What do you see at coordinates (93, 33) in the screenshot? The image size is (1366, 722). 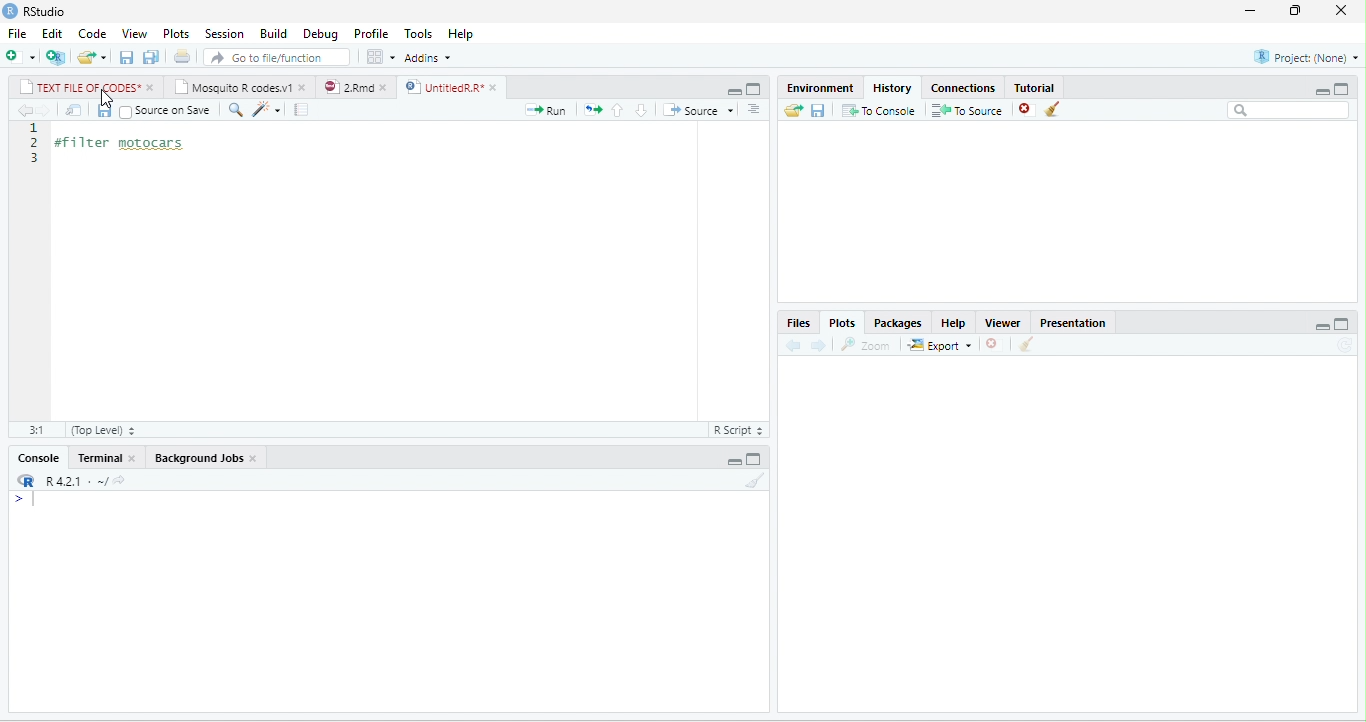 I see `Code` at bounding box center [93, 33].